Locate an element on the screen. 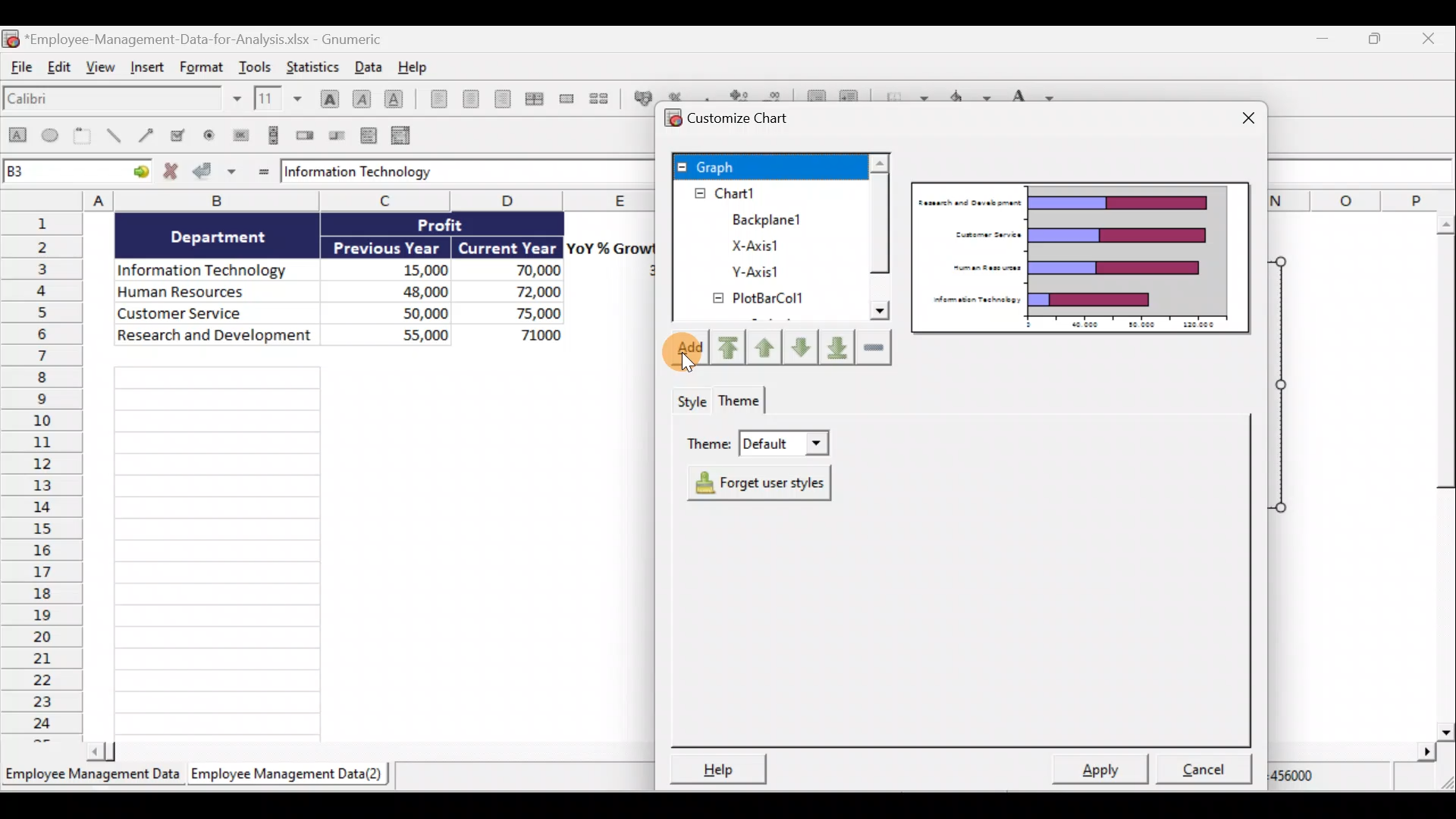  Information Technology is located at coordinates (451, 173).